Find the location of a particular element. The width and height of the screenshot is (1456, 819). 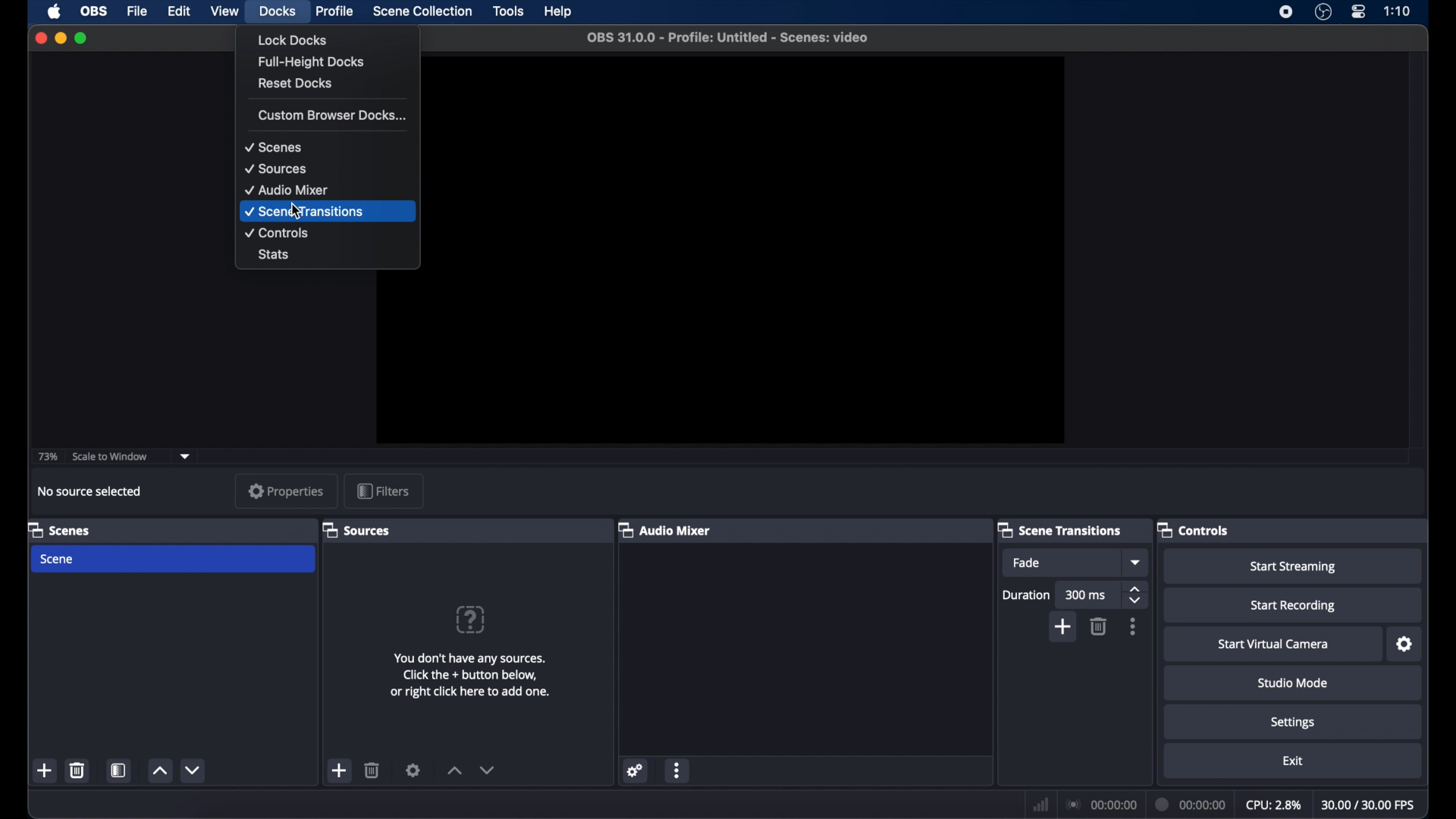

maximize is located at coordinates (82, 38).